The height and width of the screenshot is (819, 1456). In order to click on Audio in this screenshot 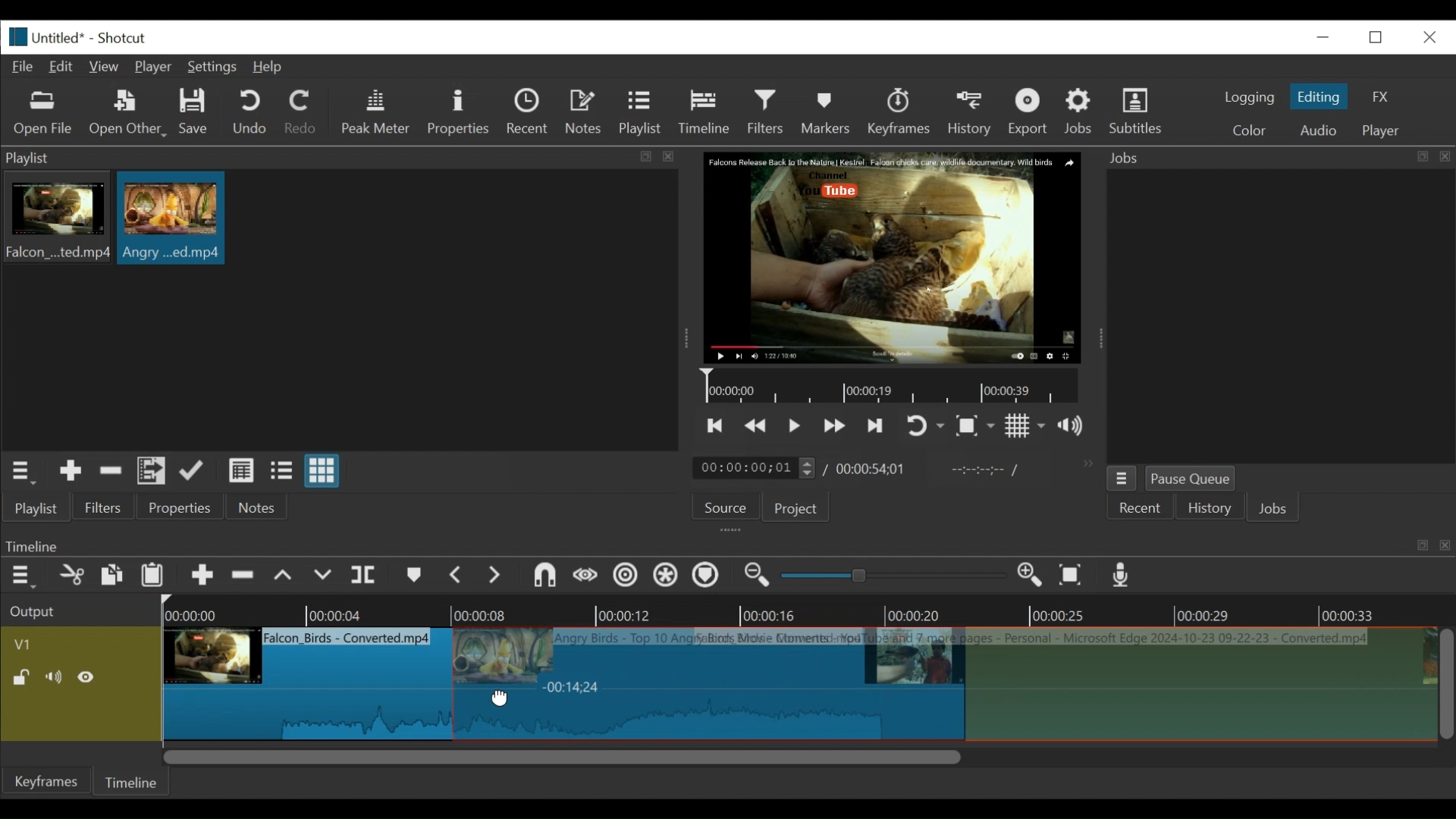, I will do `click(1317, 130)`.